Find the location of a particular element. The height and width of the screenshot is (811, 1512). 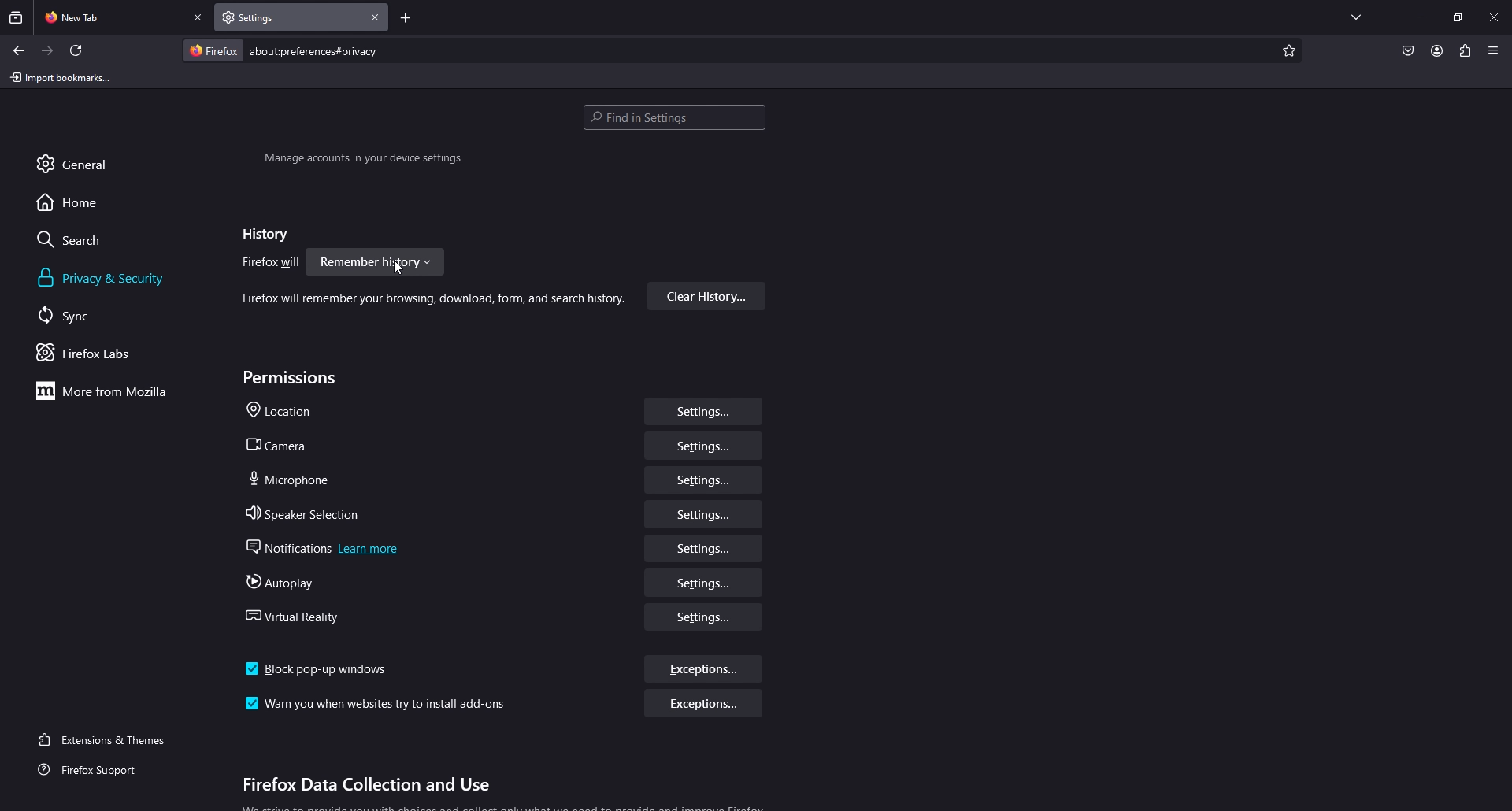

virtual reality is located at coordinates (300, 616).